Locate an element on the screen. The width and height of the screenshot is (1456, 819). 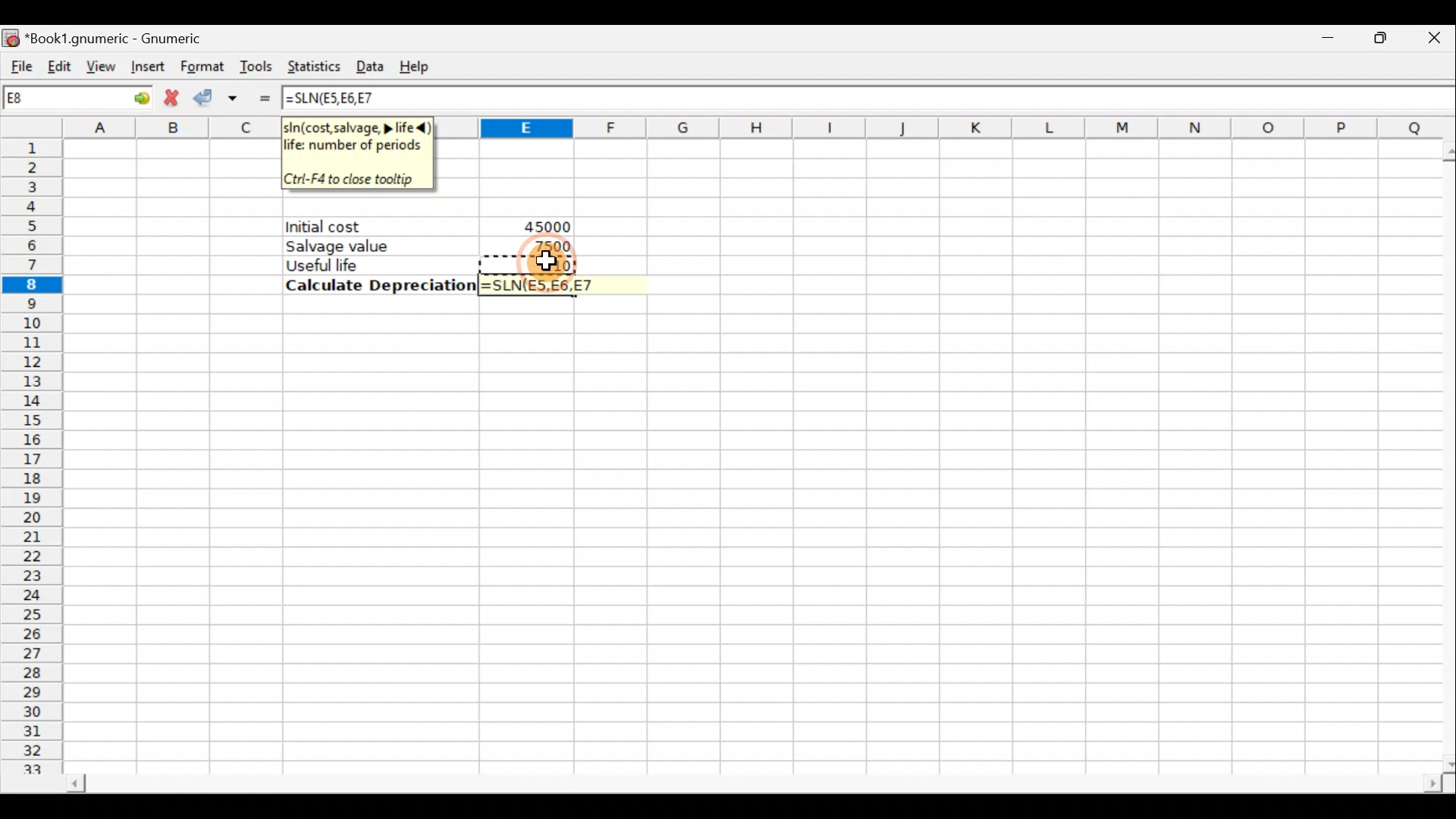
Calculate Depreciation is located at coordinates (376, 285).